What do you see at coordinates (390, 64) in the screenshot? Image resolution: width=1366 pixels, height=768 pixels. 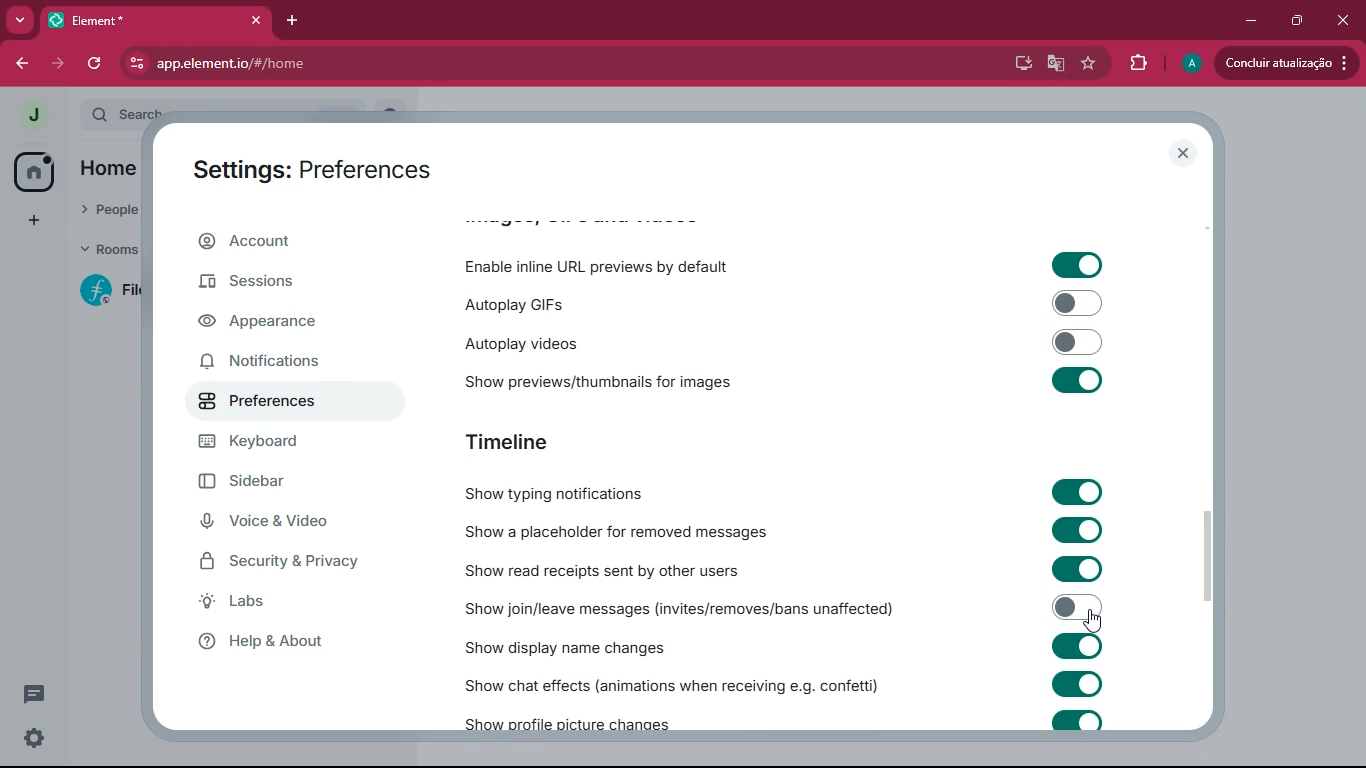 I see `app.element.io/#/home` at bounding box center [390, 64].